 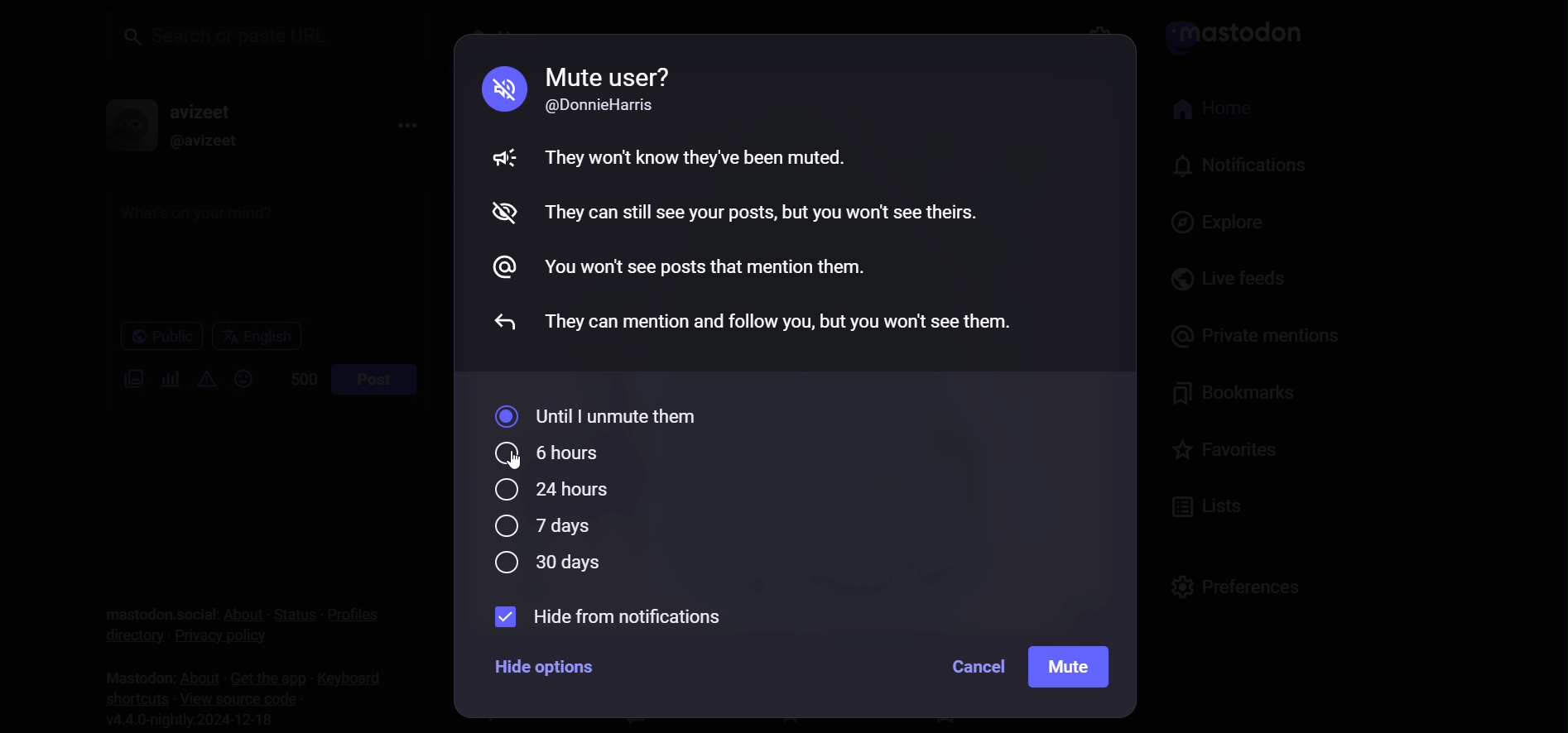 I want to click on hide, so click(x=501, y=214).